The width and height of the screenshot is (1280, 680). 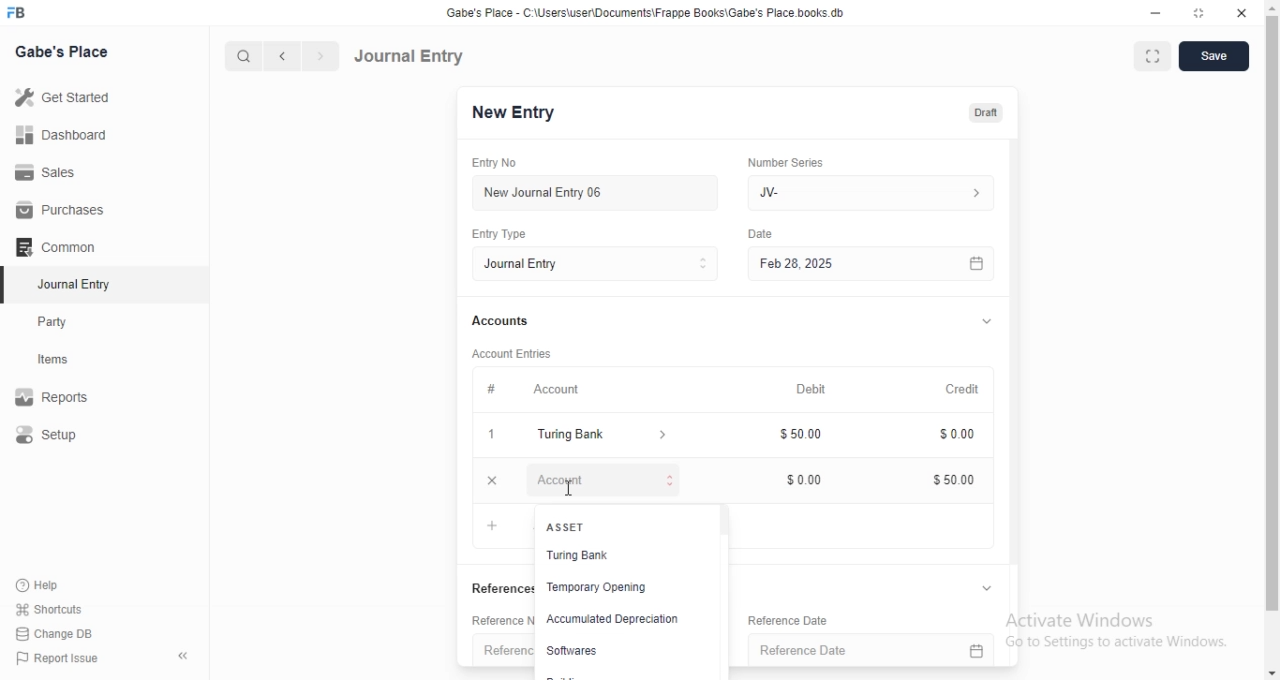 I want to click on $50.00, so click(x=816, y=432).